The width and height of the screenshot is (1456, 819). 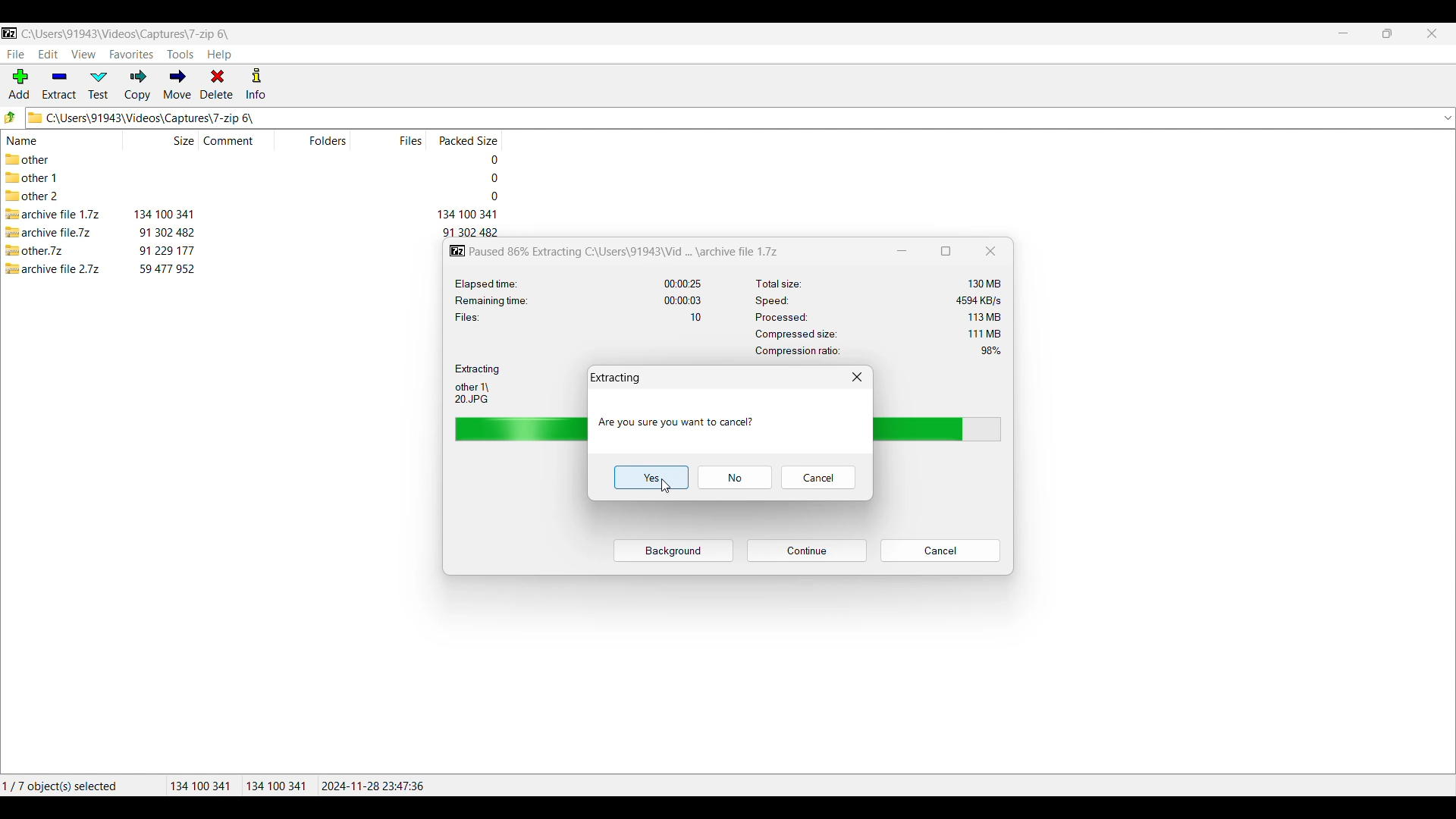 I want to click on packed size, so click(x=485, y=158).